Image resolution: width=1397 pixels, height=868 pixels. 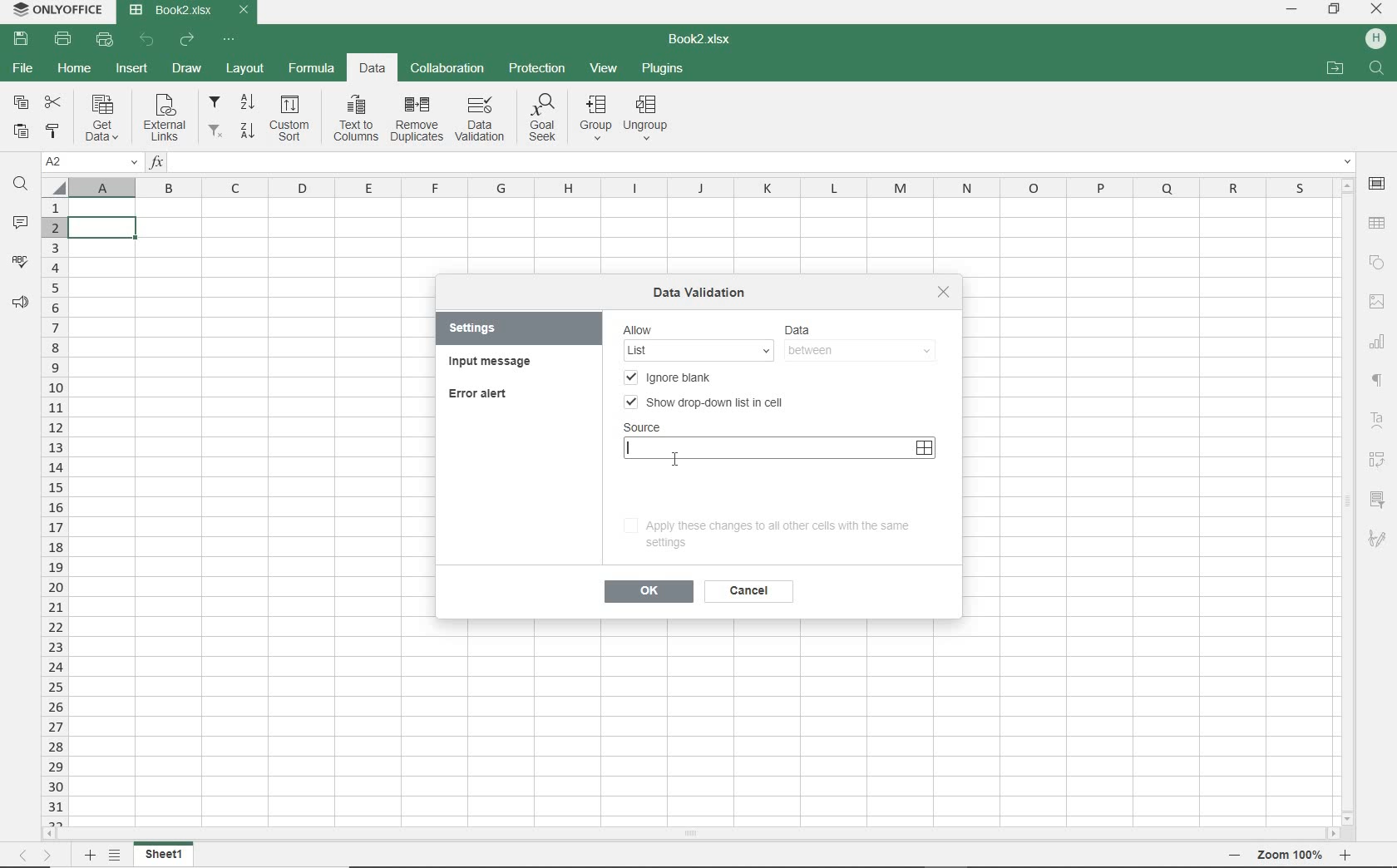 What do you see at coordinates (104, 227) in the screenshot?
I see `SELECTED cell` at bounding box center [104, 227].